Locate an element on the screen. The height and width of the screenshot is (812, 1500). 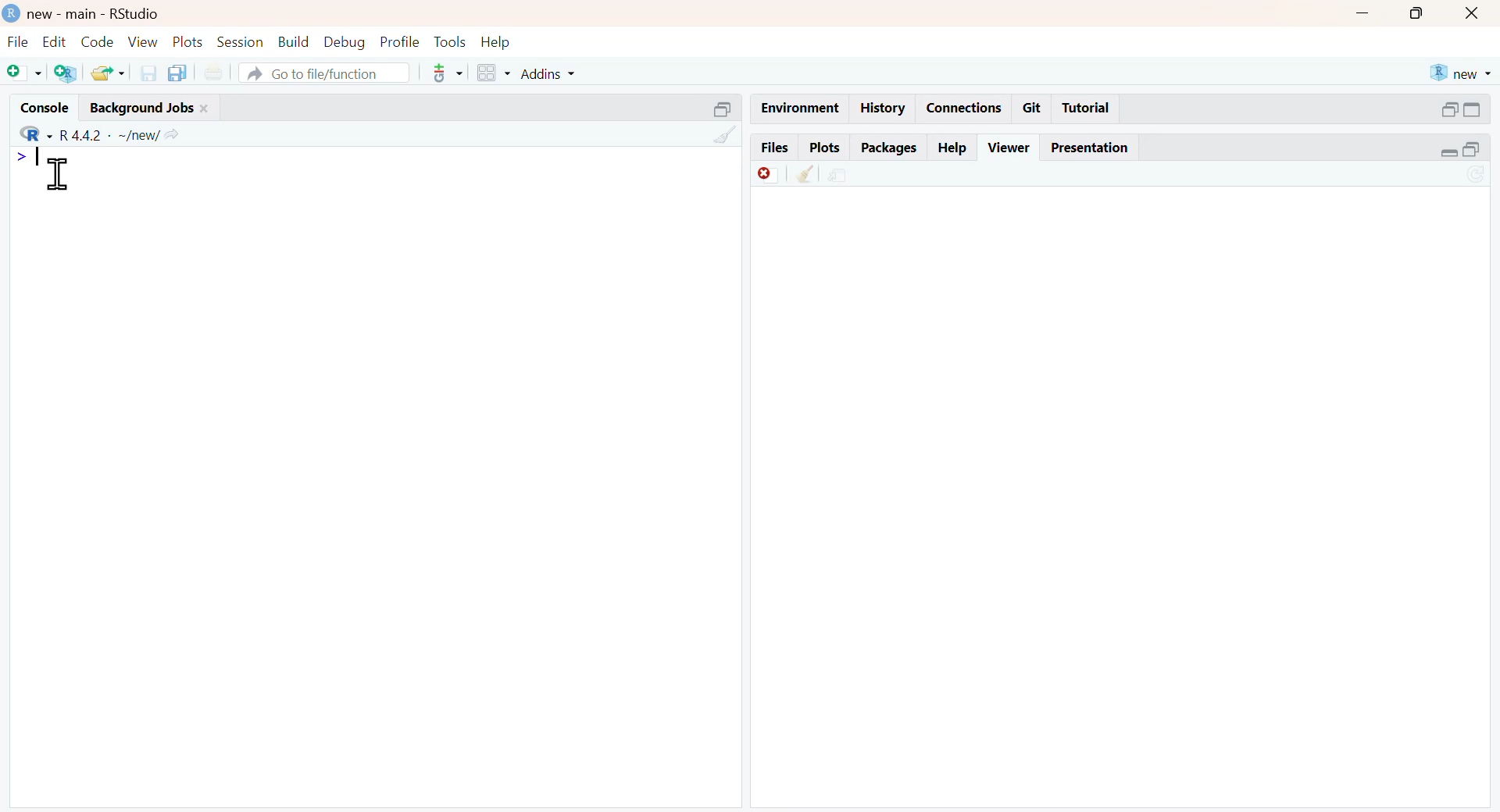
edit is located at coordinates (54, 41).